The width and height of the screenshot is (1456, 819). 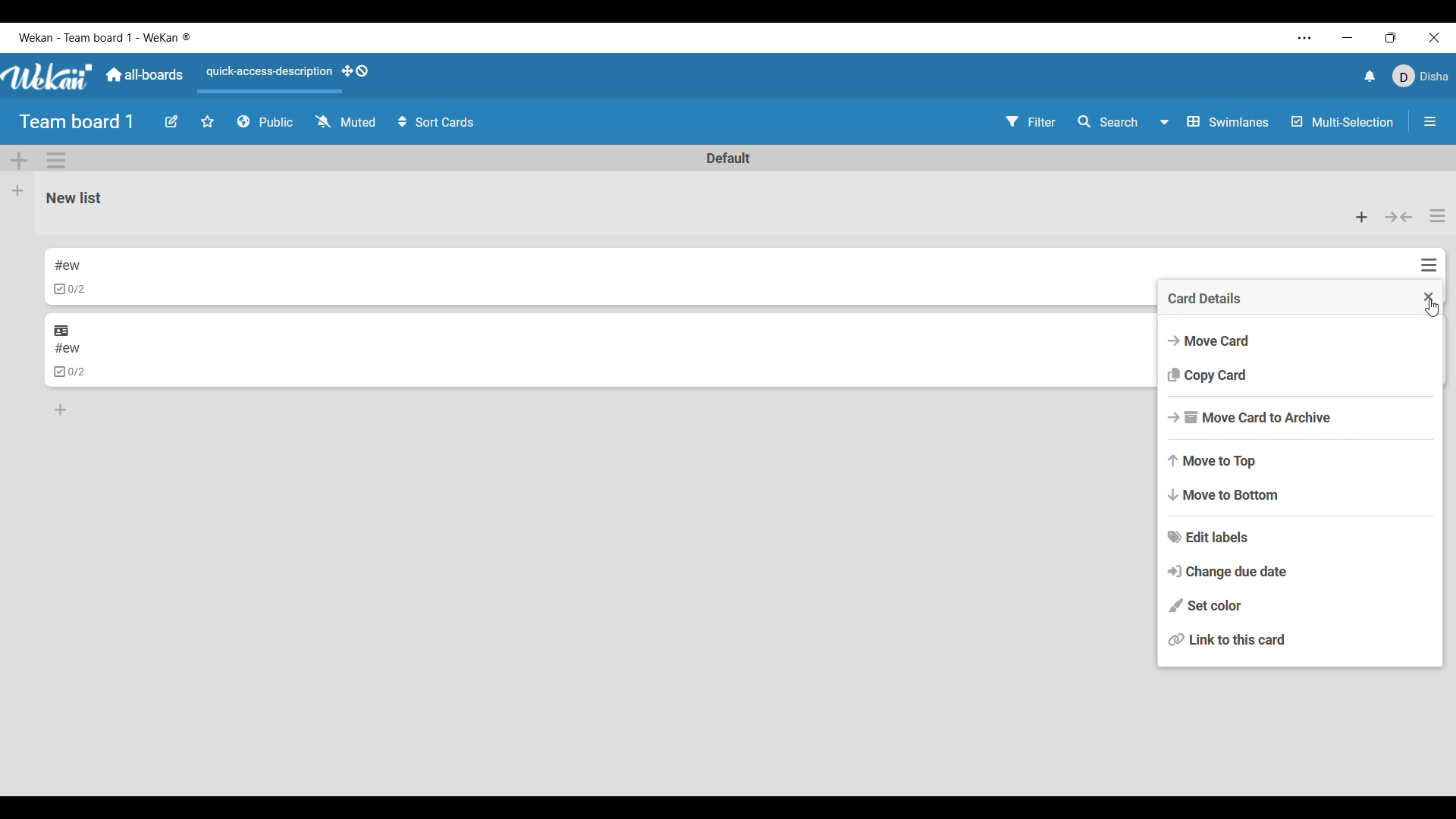 I want to click on List actions, so click(x=1438, y=215).